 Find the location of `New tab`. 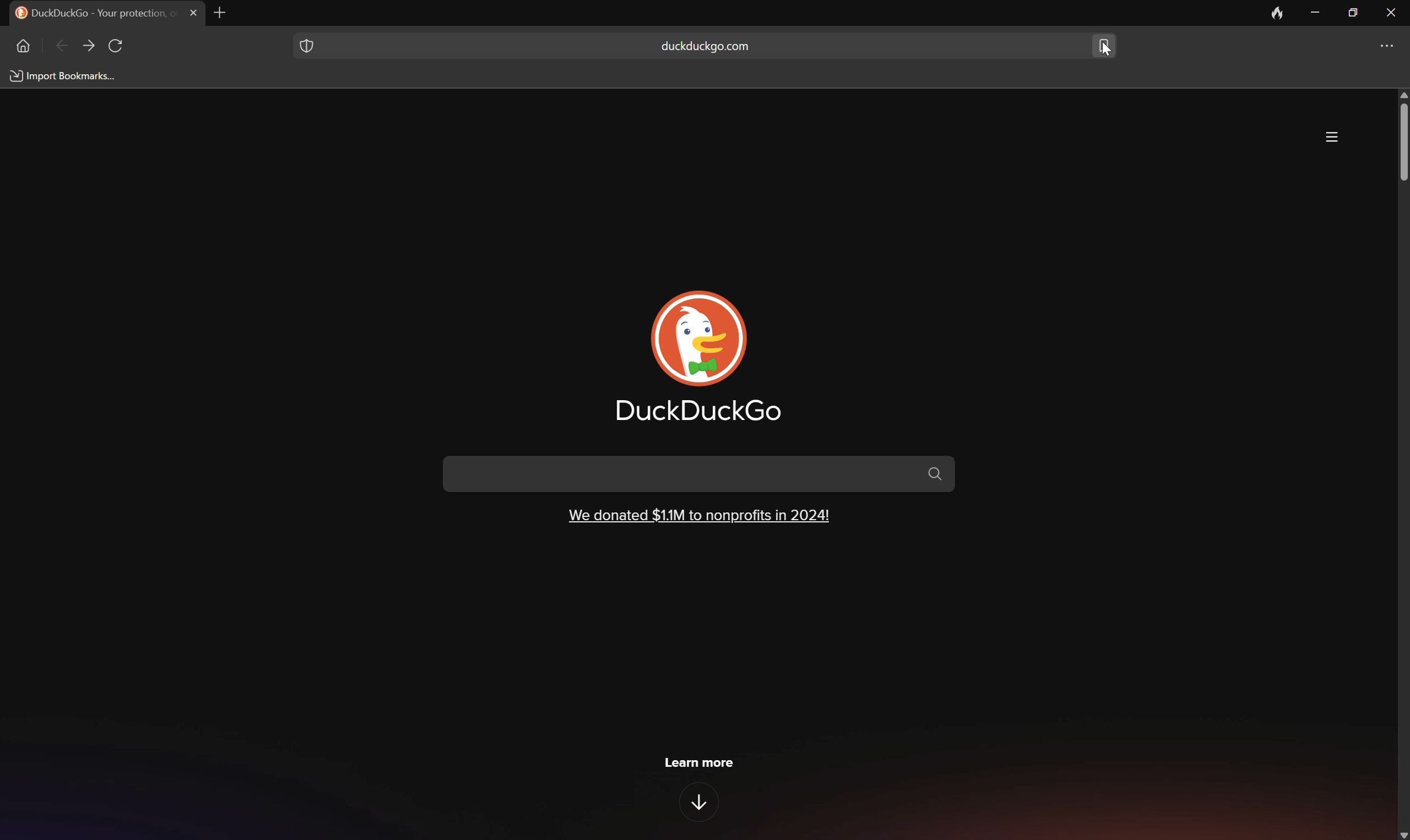

New tab is located at coordinates (225, 12).